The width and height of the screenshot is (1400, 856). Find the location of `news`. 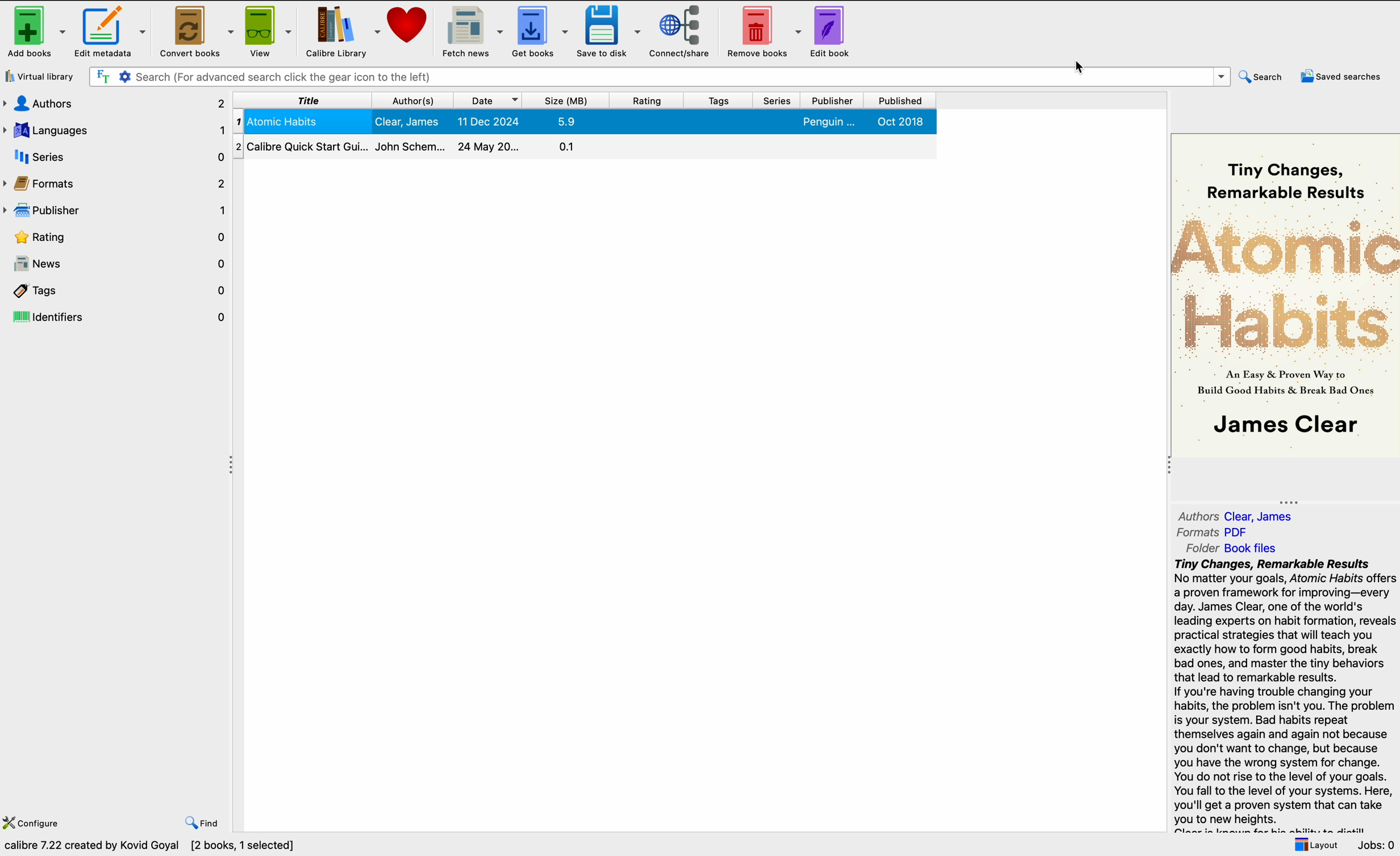

news is located at coordinates (115, 264).